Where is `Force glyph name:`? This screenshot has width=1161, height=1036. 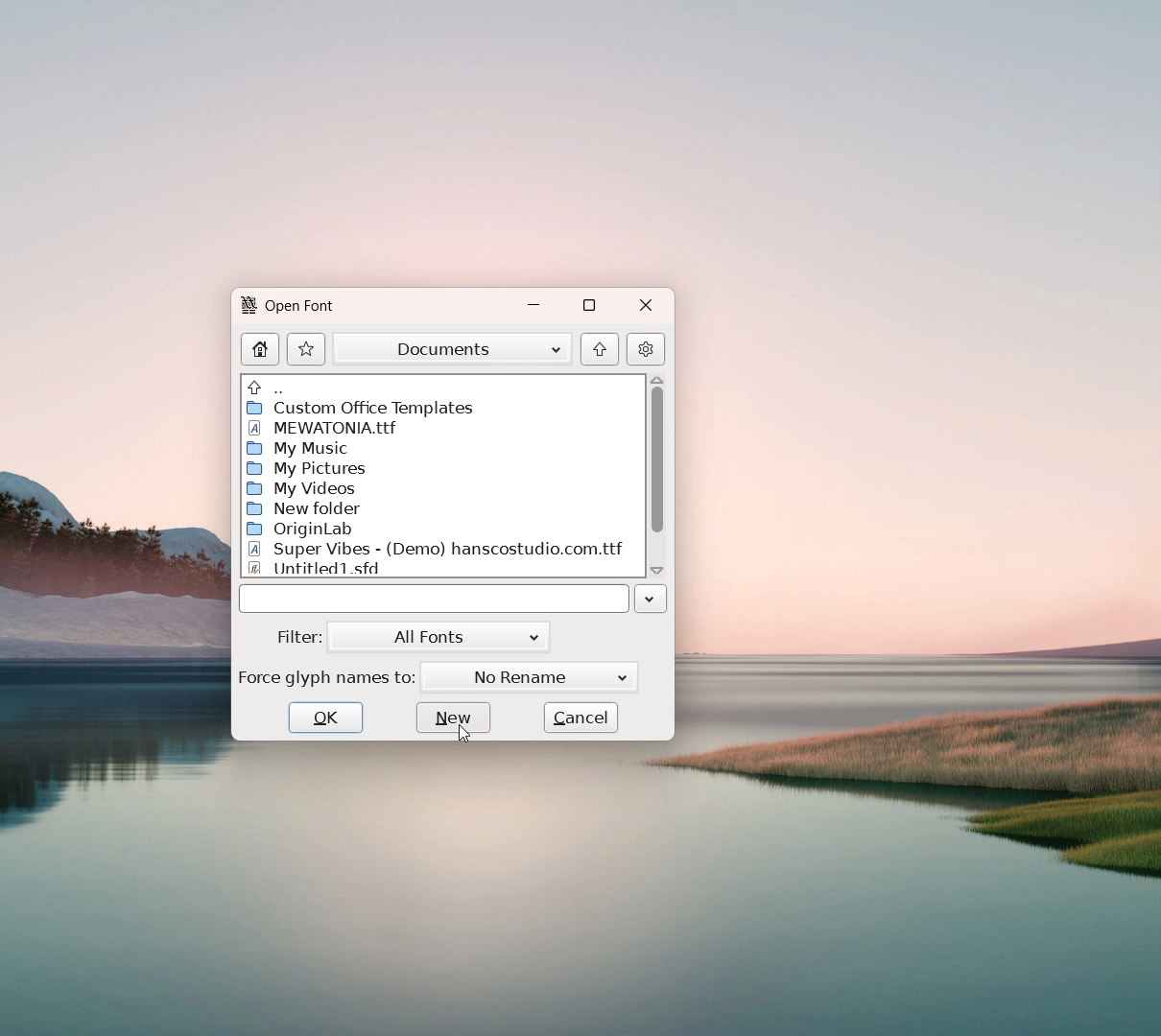 Force glyph name: is located at coordinates (327, 675).